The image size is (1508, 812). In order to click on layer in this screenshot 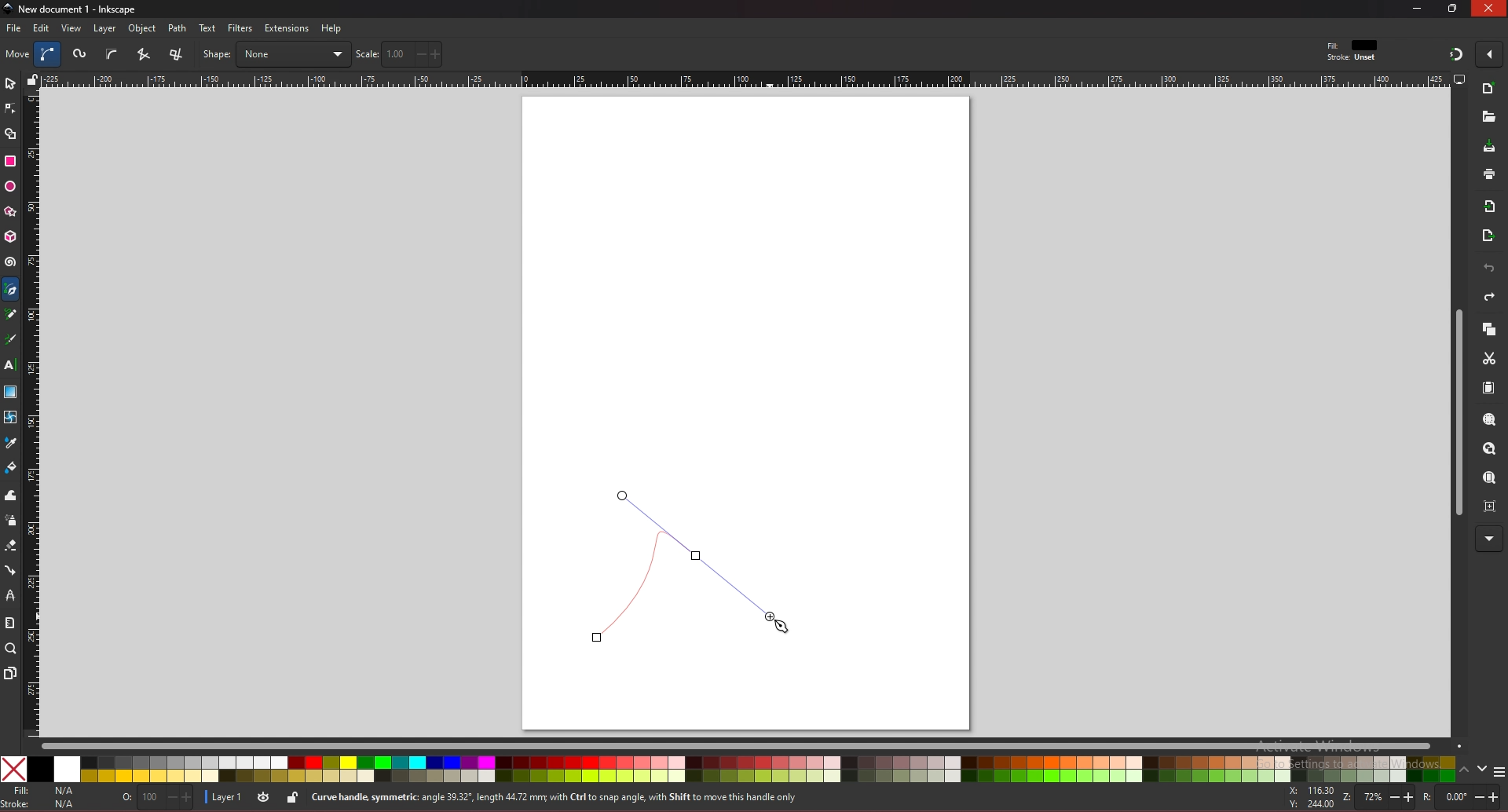, I will do `click(104, 28)`.